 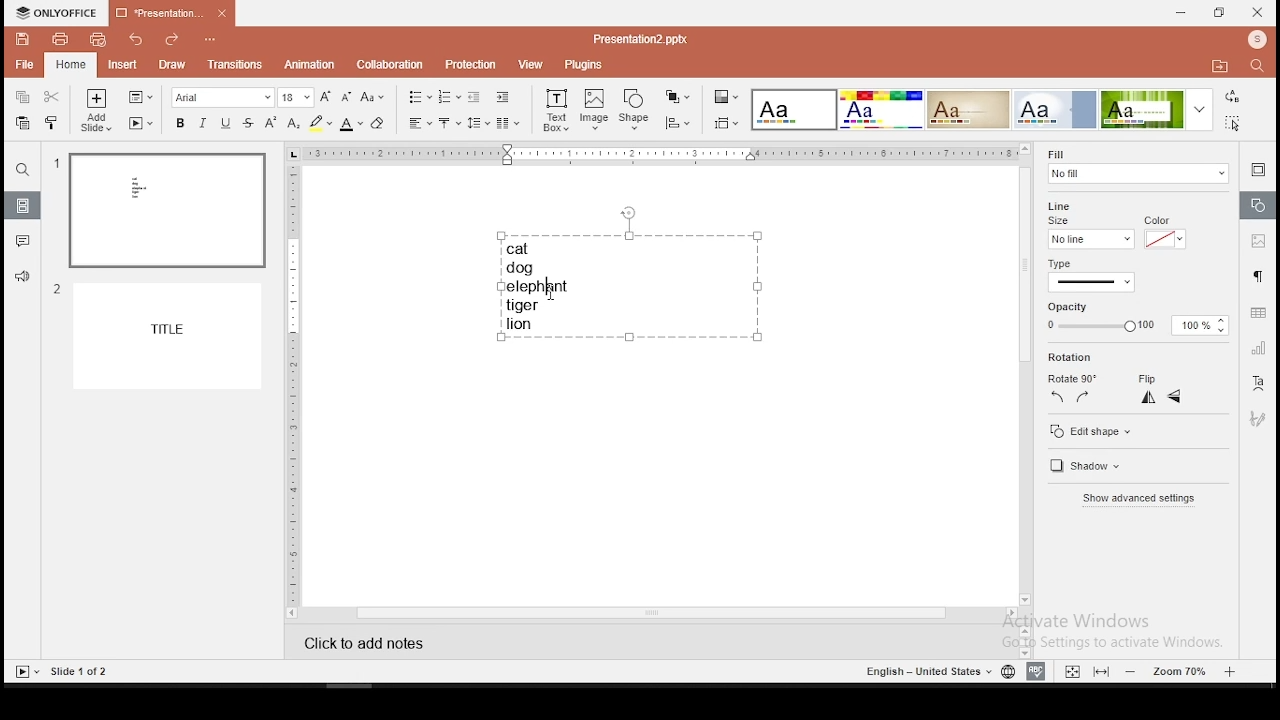 I want to click on align objects, so click(x=725, y=123).